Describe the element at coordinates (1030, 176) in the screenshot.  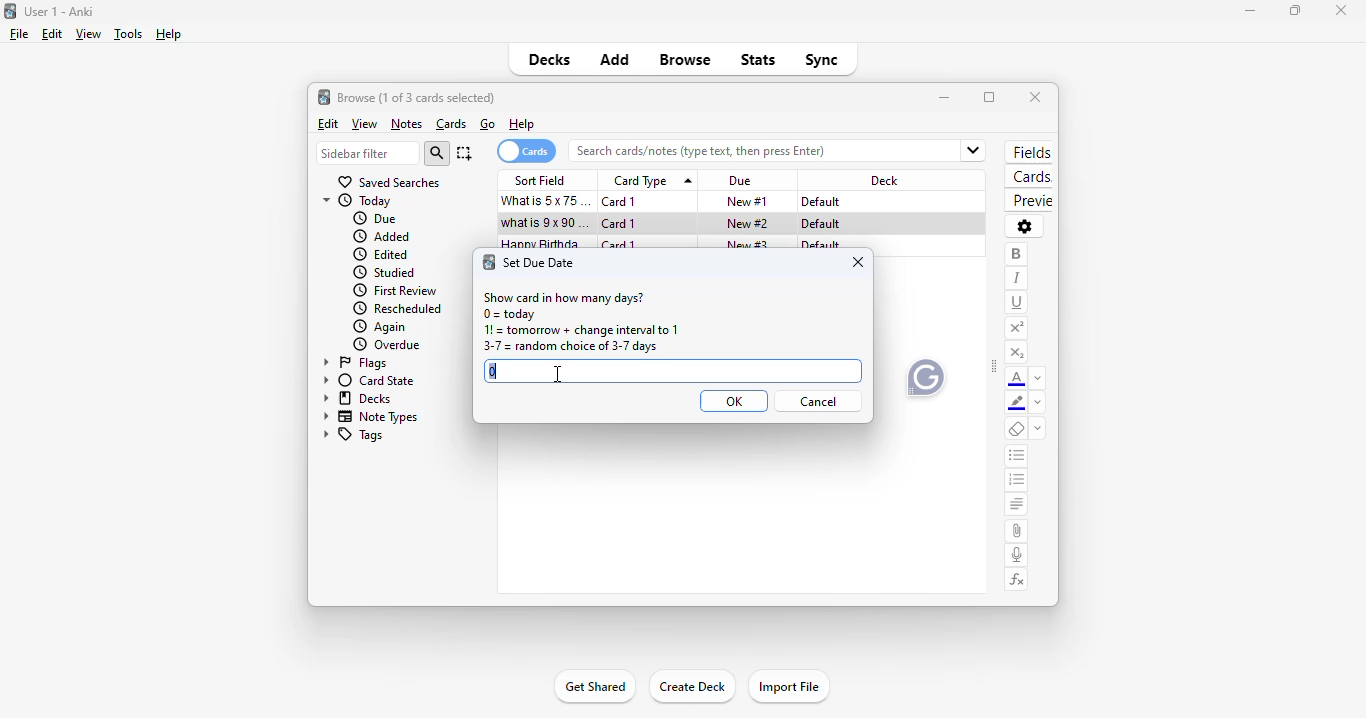
I see `cards` at that location.